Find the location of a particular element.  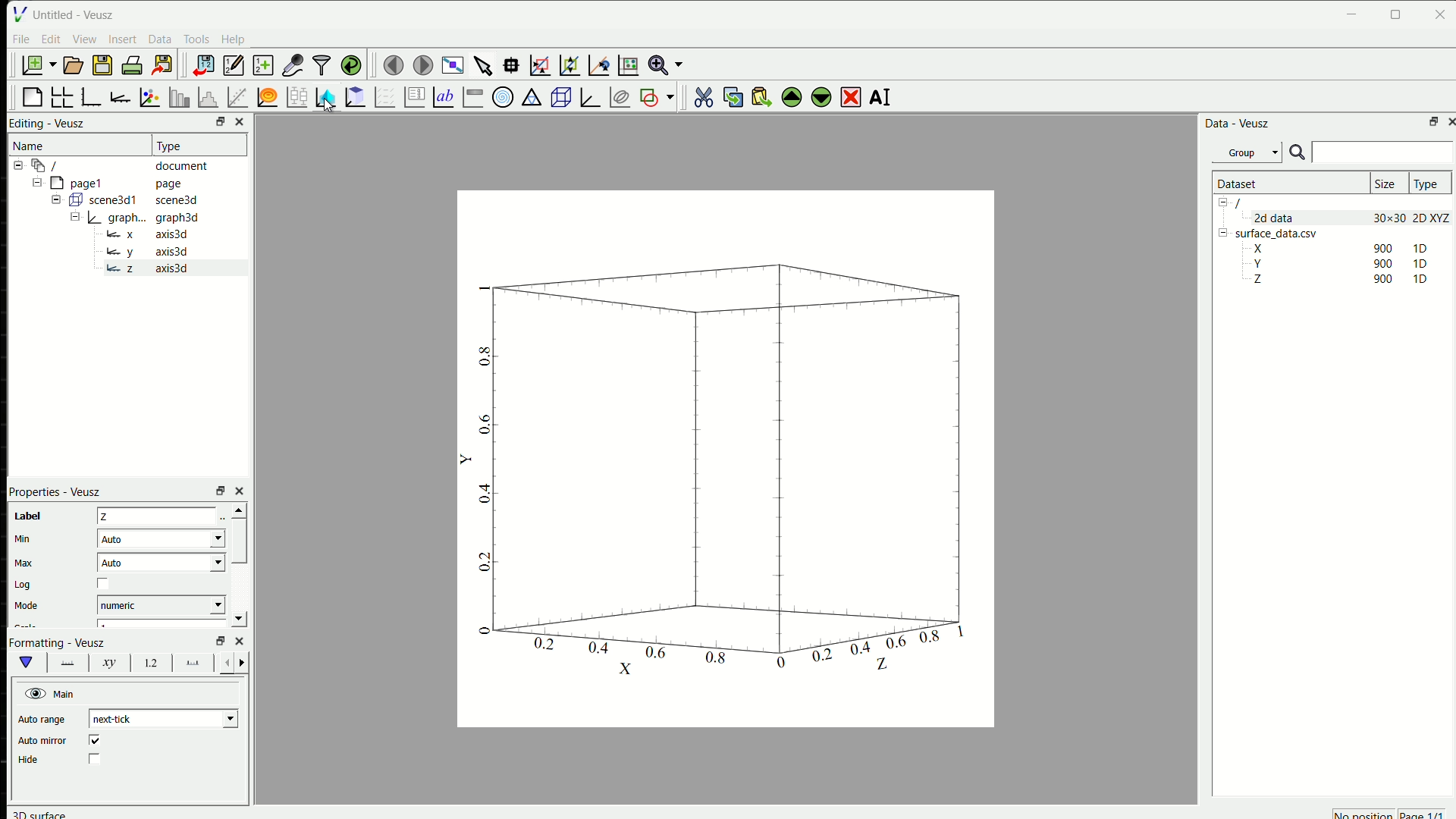

Collapse /expand is located at coordinates (1222, 203).